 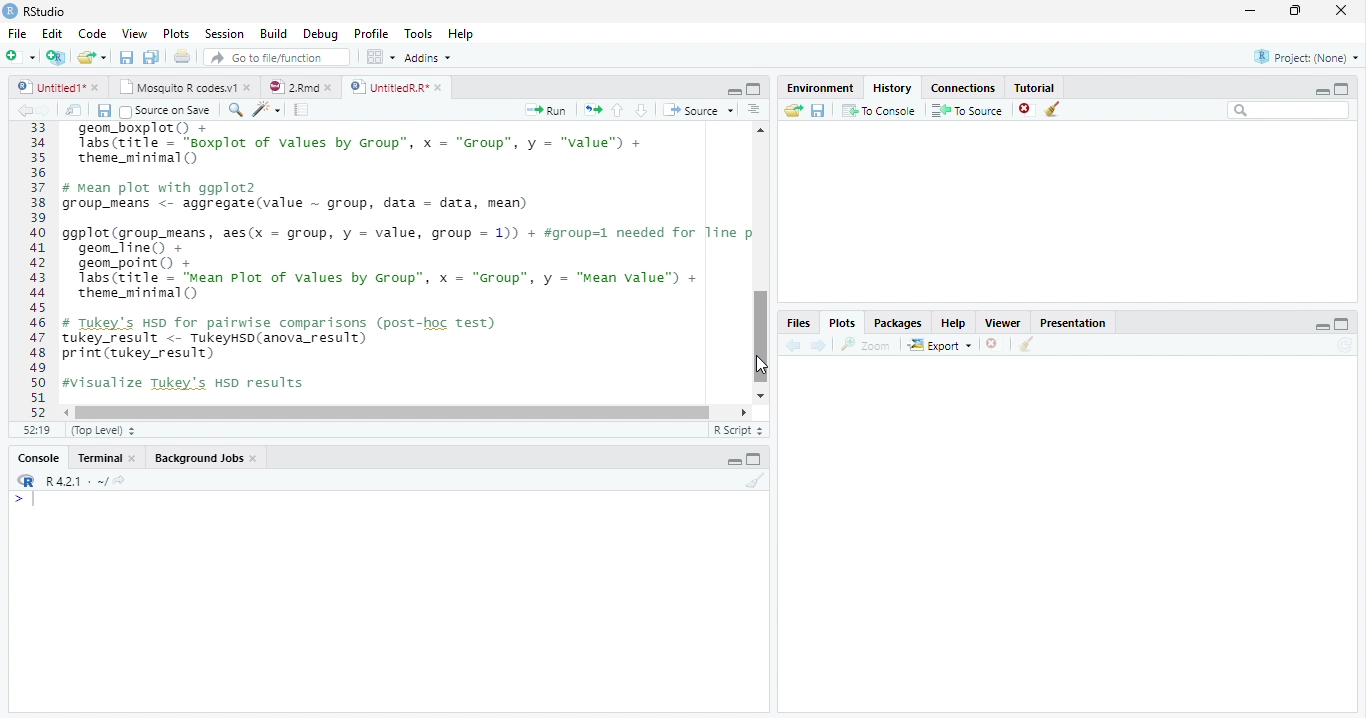 What do you see at coordinates (38, 501) in the screenshot?
I see `Cursor` at bounding box center [38, 501].